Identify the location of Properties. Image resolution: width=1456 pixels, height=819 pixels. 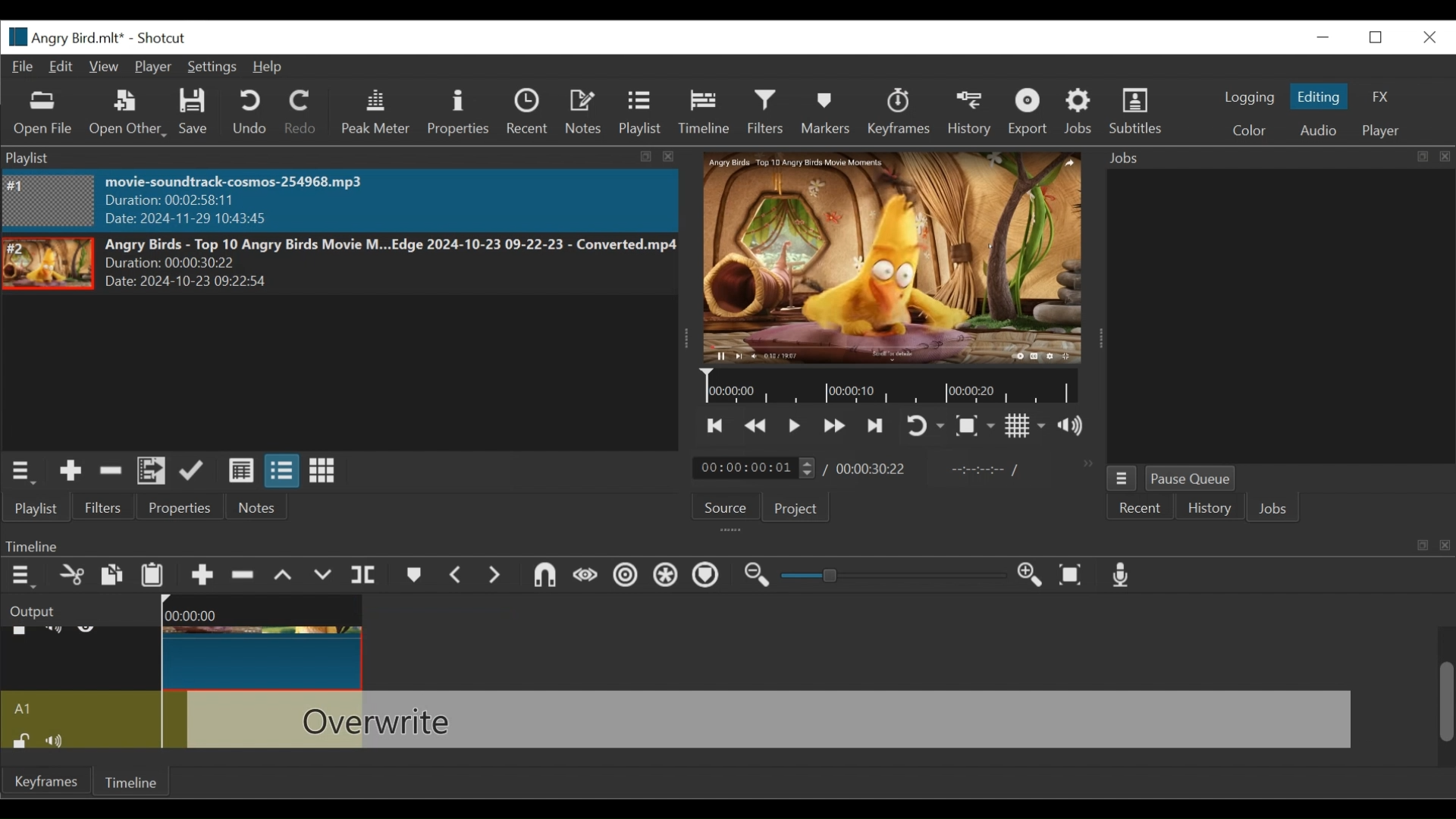
(458, 111).